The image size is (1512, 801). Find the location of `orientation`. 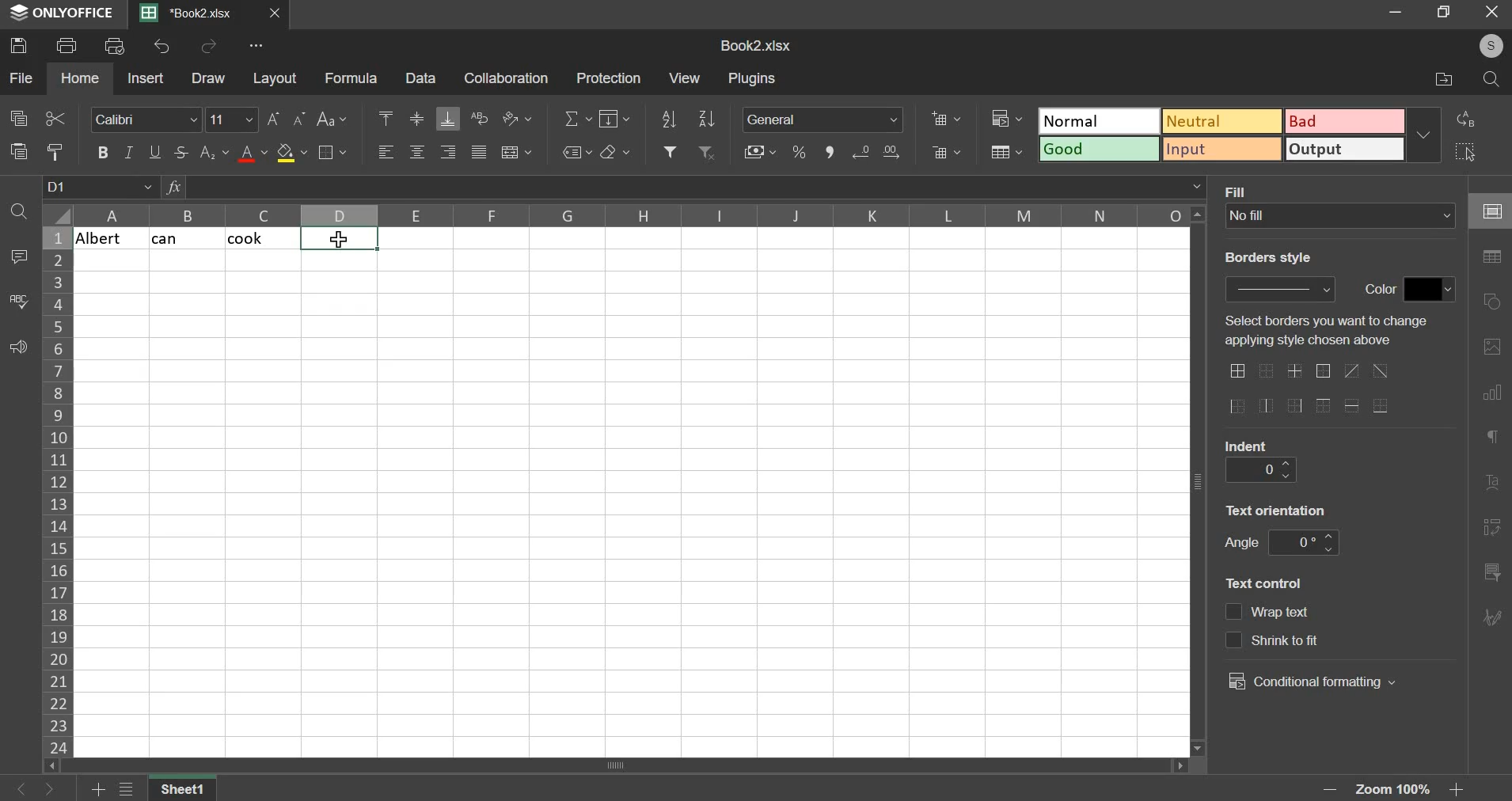

orientation is located at coordinates (517, 118).